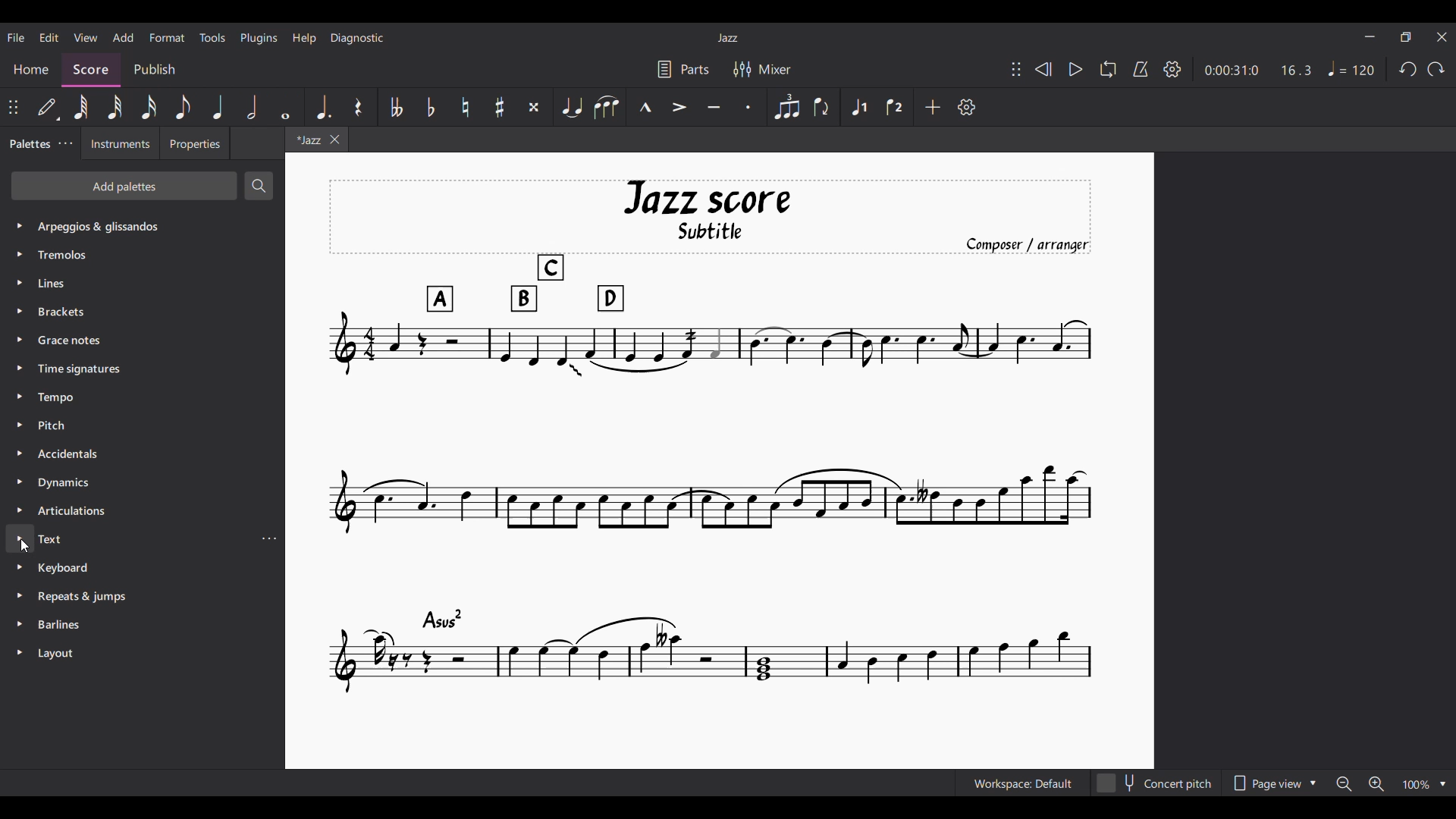  What do you see at coordinates (1141, 69) in the screenshot?
I see `Metronome` at bounding box center [1141, 69].